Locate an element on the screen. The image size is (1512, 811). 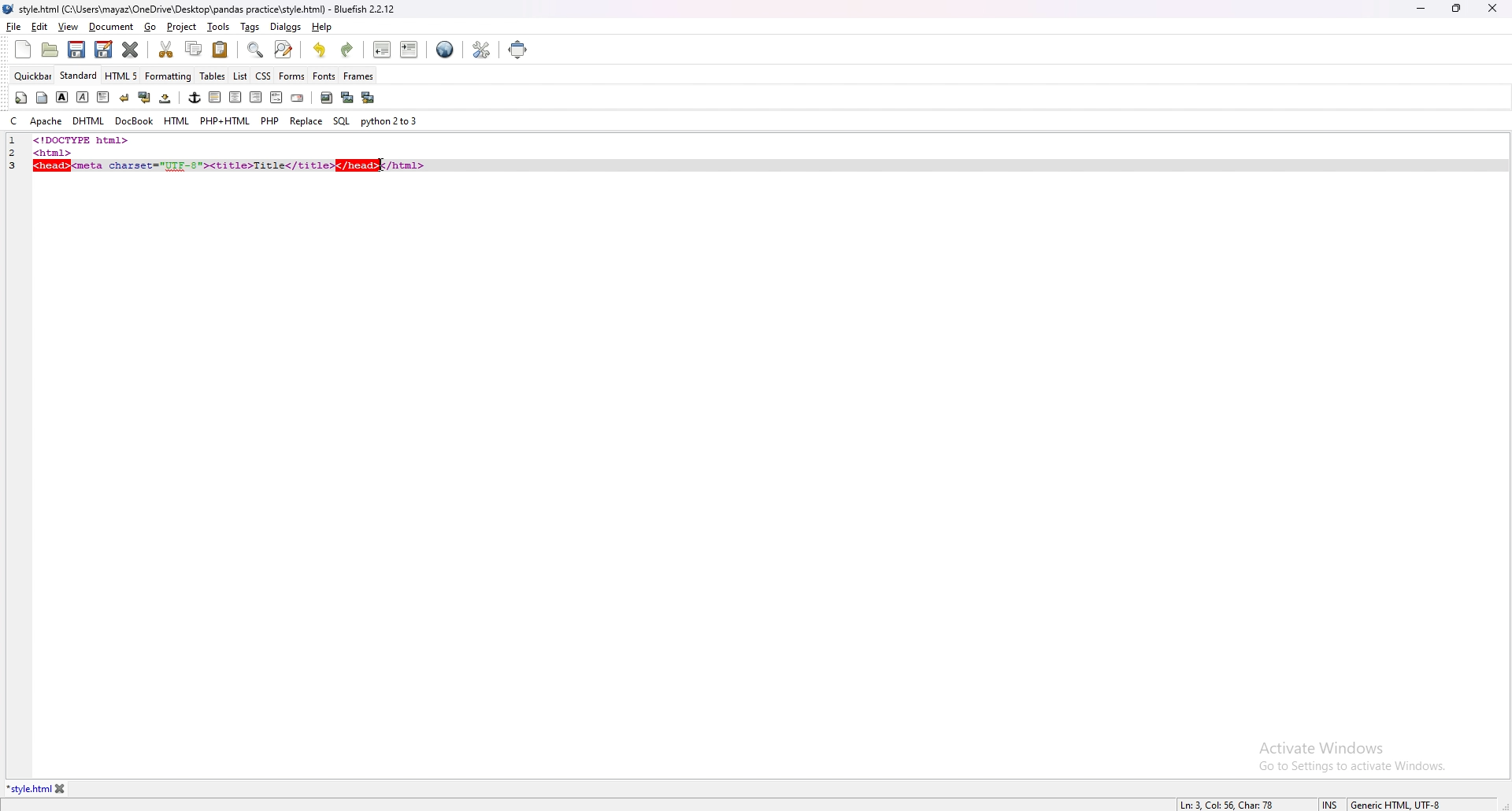
line number is located at coordinates (18, 152).